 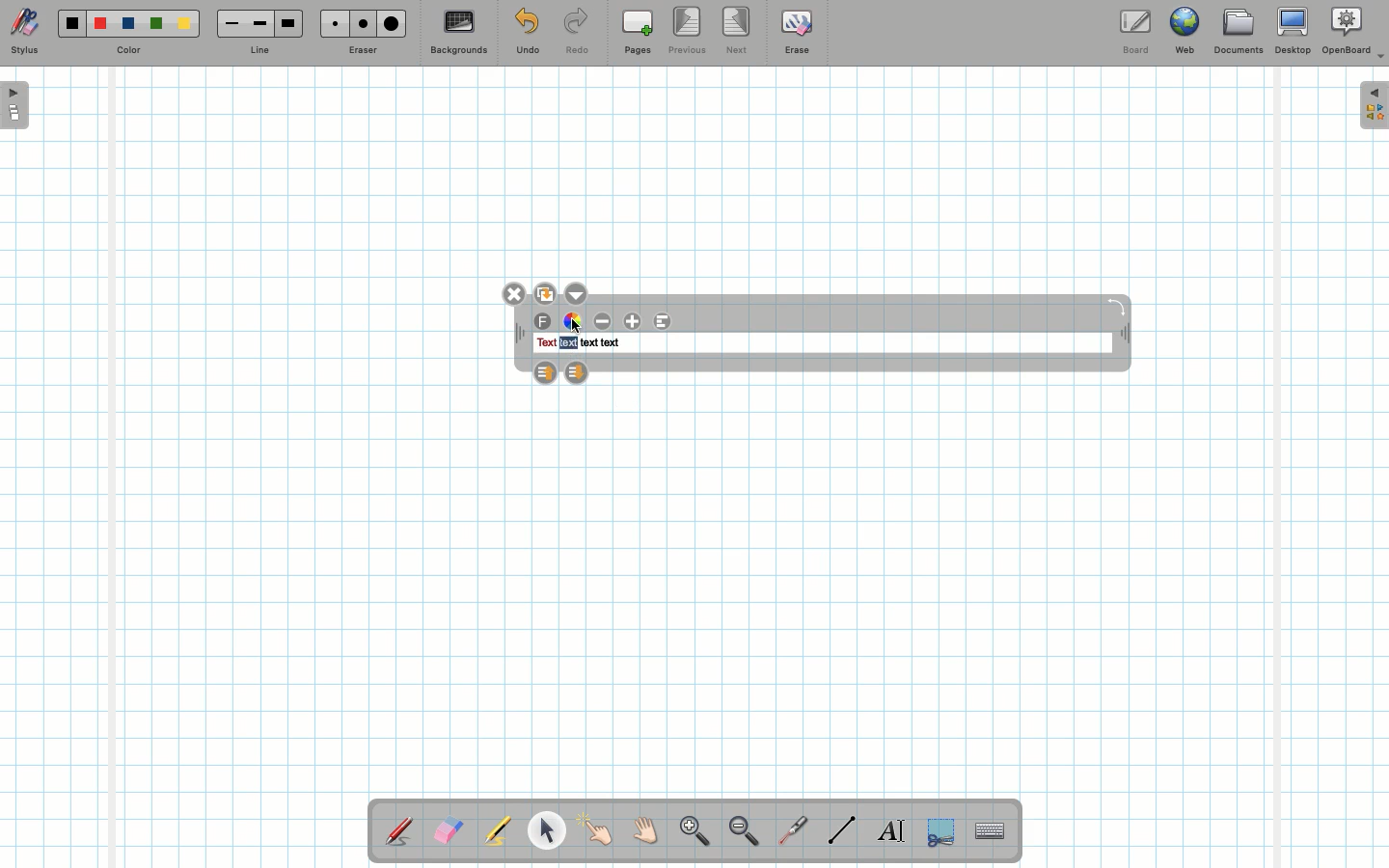 What do you see at coordinates (690, 833) in the screenshot?
I see `Zoom in` at bounding box center [690, 833].